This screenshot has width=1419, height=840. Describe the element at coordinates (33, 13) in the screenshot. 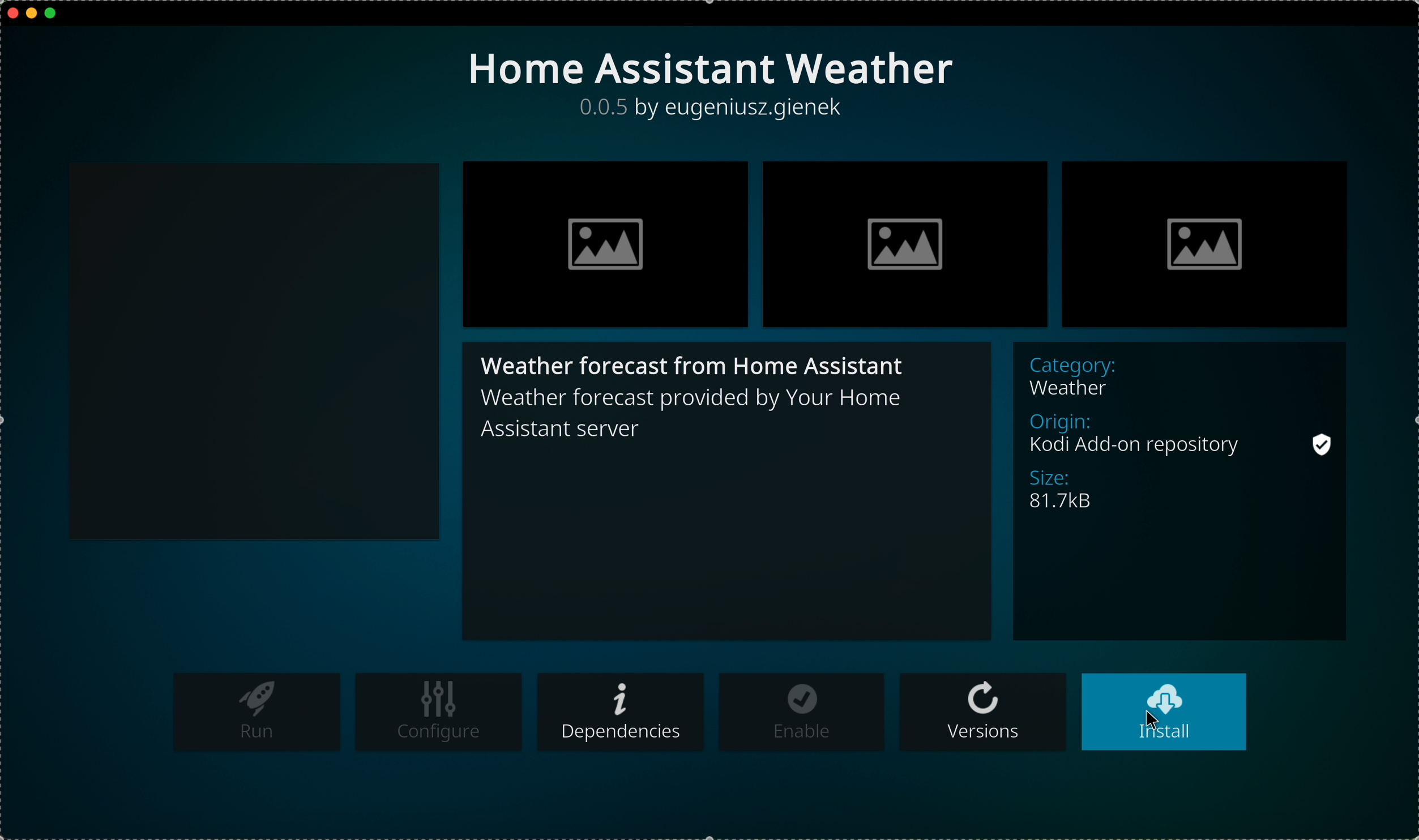

I see `minimize` at that location.